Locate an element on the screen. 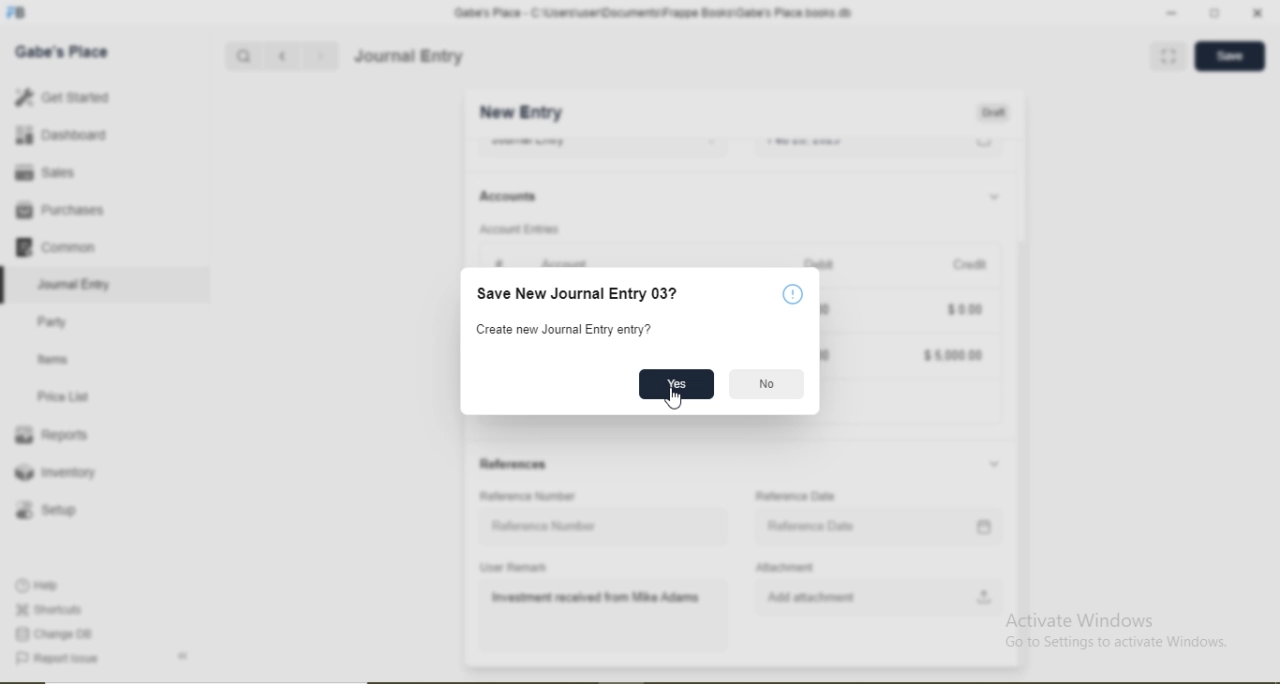 The width and height of the screenshot is (1280, 684). User Remark is located at coordinates (513, 567).